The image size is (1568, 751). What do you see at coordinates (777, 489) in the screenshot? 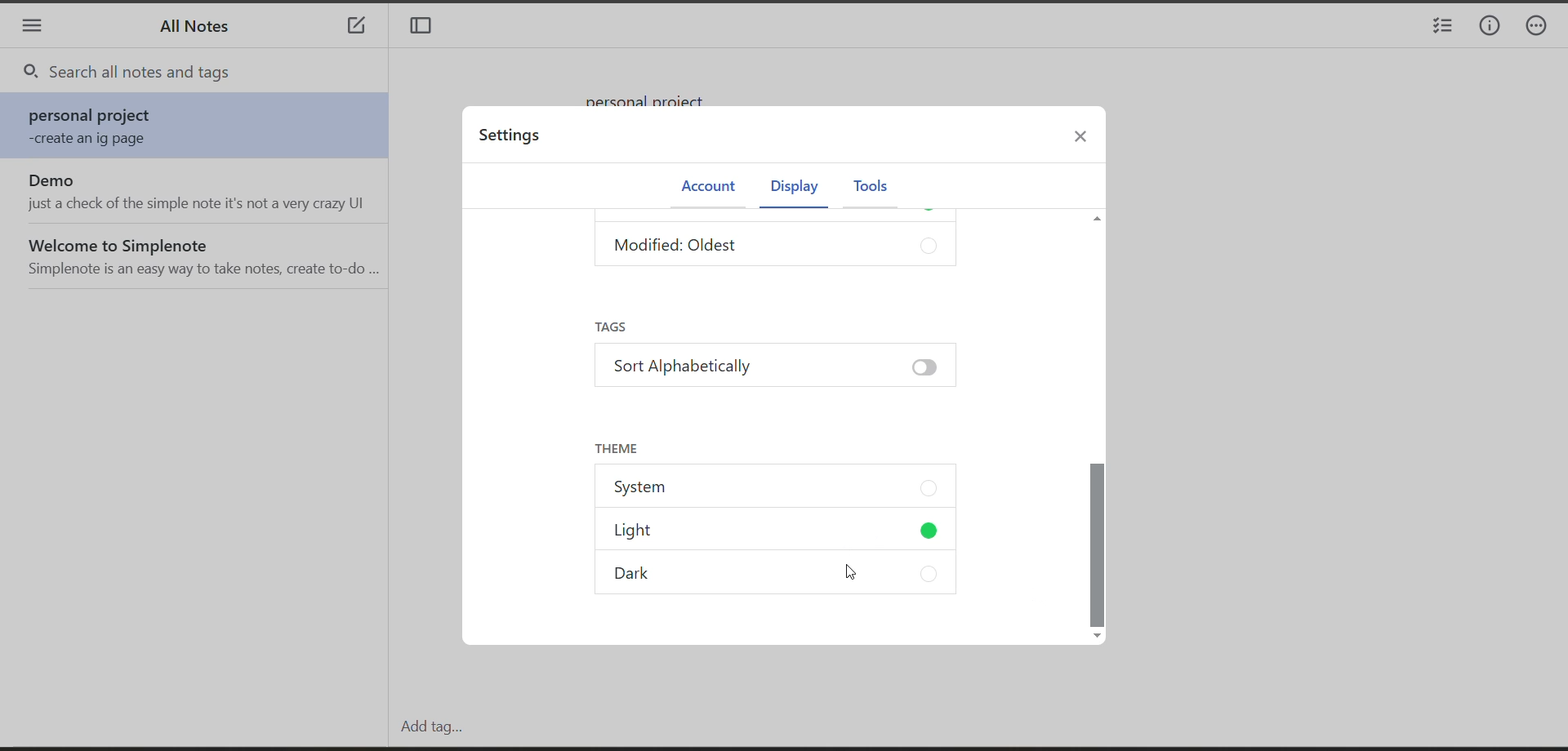
I see `system` at bounding box center [777, 489].